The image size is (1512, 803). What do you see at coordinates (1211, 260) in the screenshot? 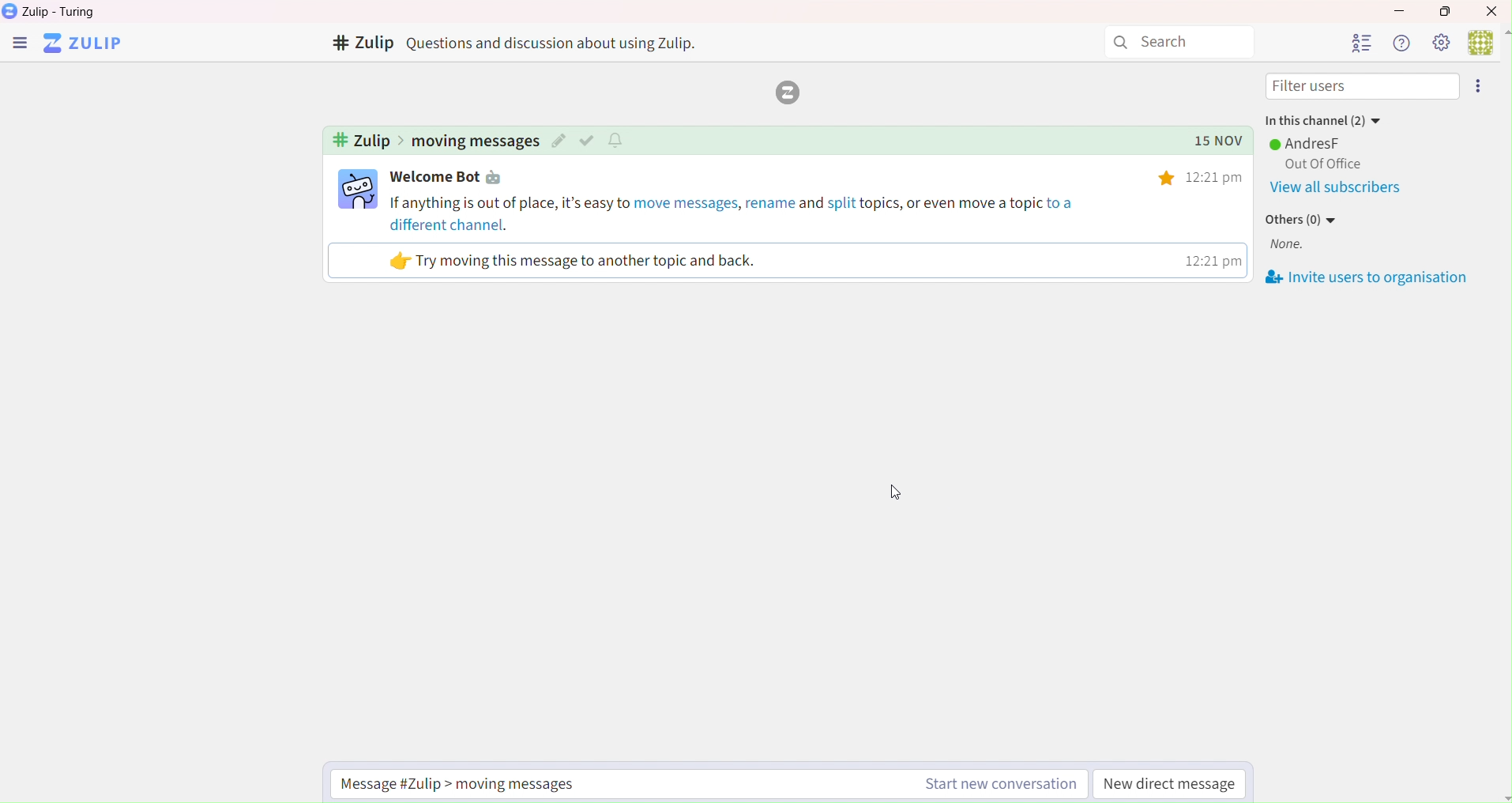
I see `12:21 pm |` at bounding box center [1211, 260].